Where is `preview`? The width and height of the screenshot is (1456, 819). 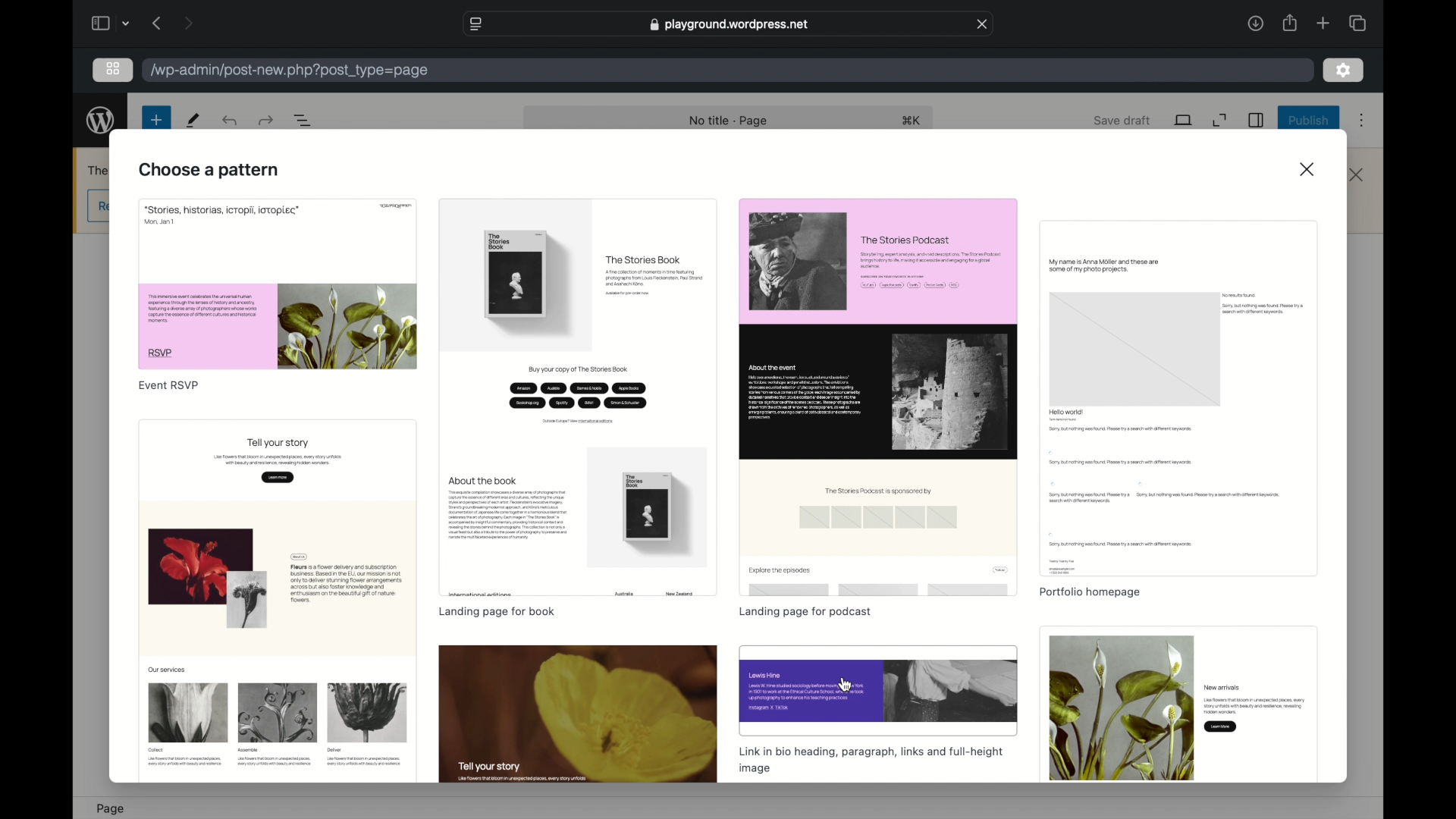
preview is located at coordinates (878, 690).